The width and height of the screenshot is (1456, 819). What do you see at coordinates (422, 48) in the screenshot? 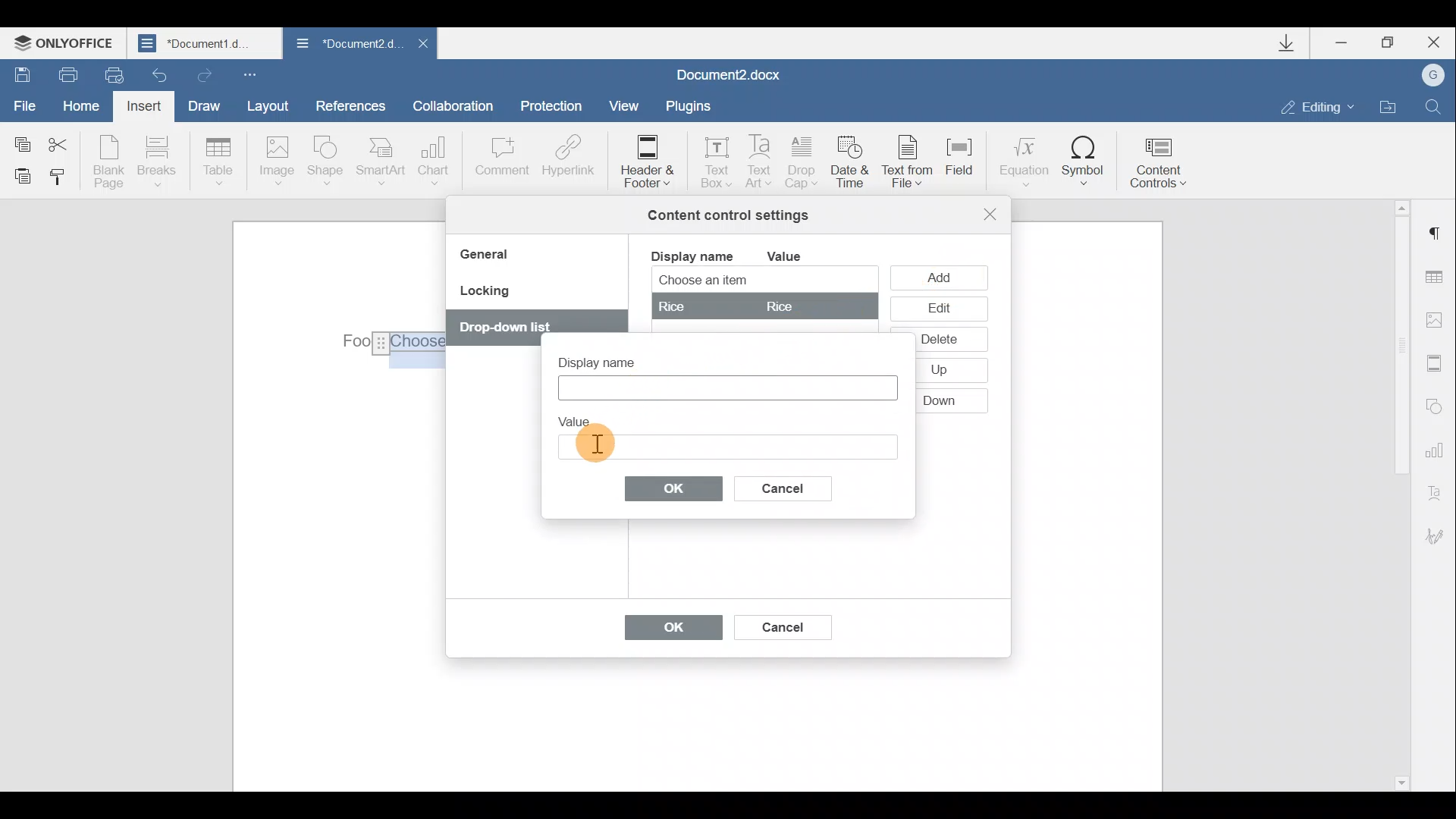
I see `Close` at bounding box center [422, 48].